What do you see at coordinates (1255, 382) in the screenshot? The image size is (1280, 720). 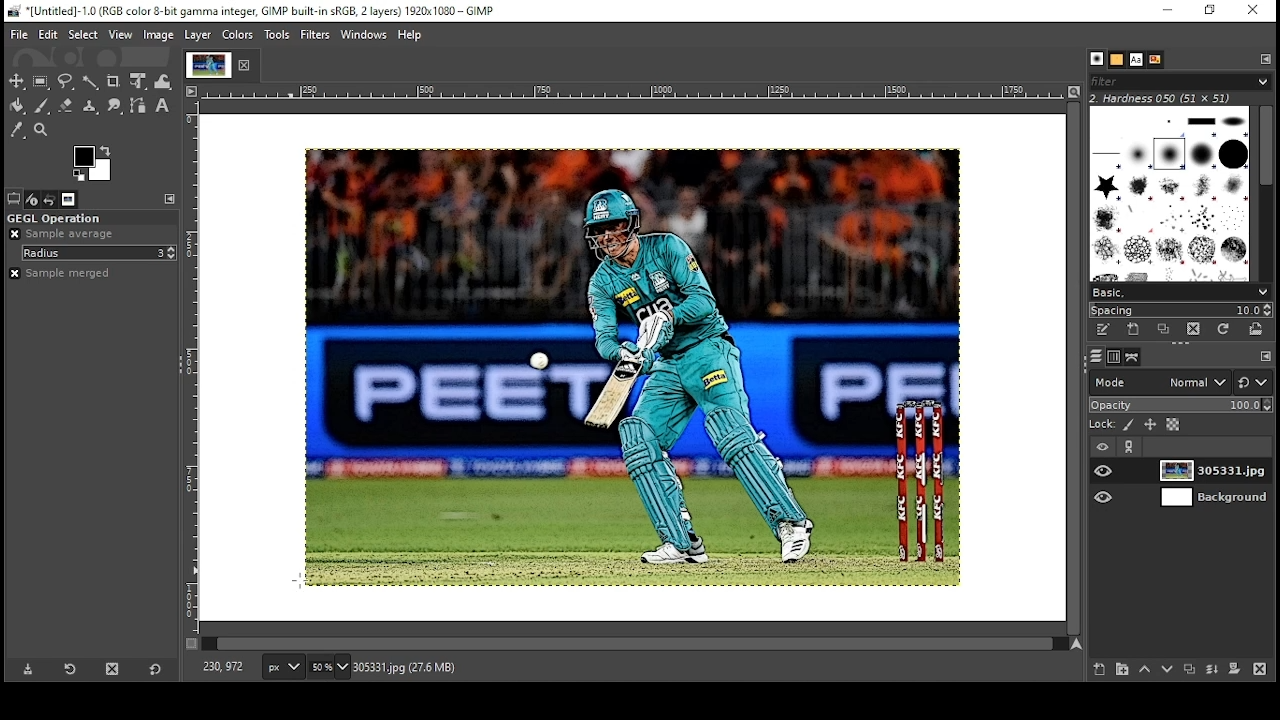 I see `switch to another group of modes` at bounding box center [1255, 382].